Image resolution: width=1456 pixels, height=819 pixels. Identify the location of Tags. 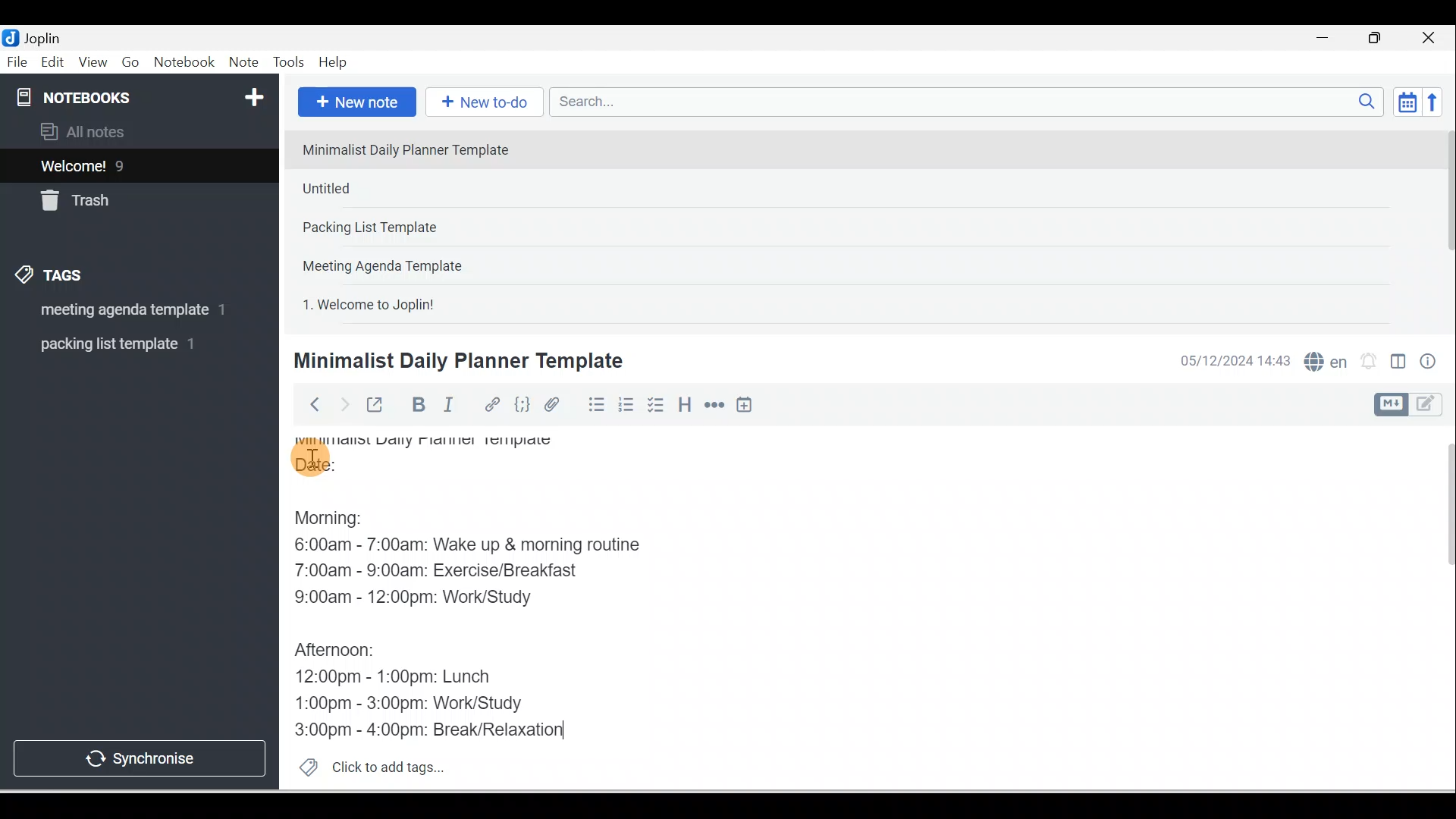
(54, 278).